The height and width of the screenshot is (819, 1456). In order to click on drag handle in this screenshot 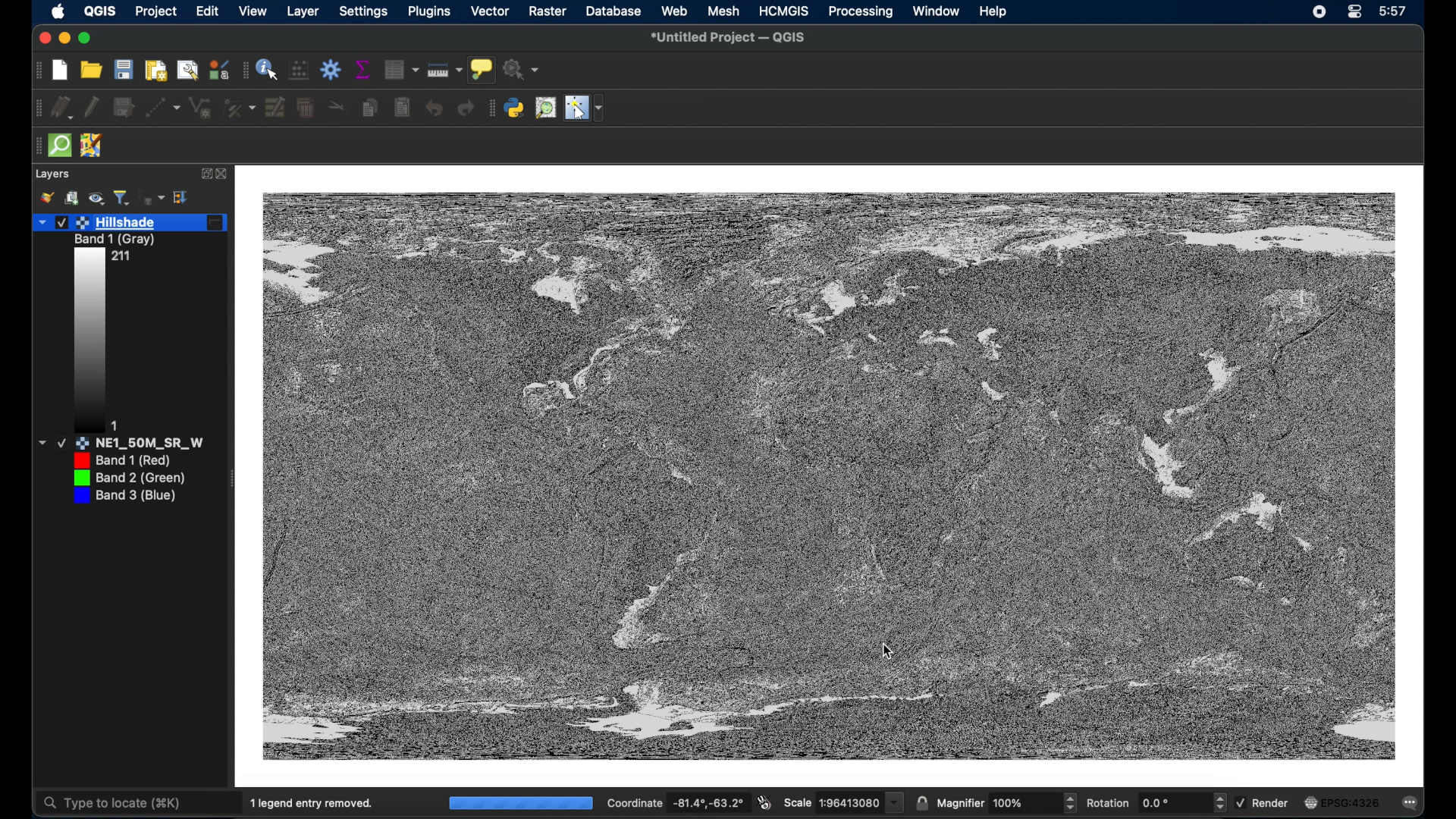, I will do `click(243, 70)`.